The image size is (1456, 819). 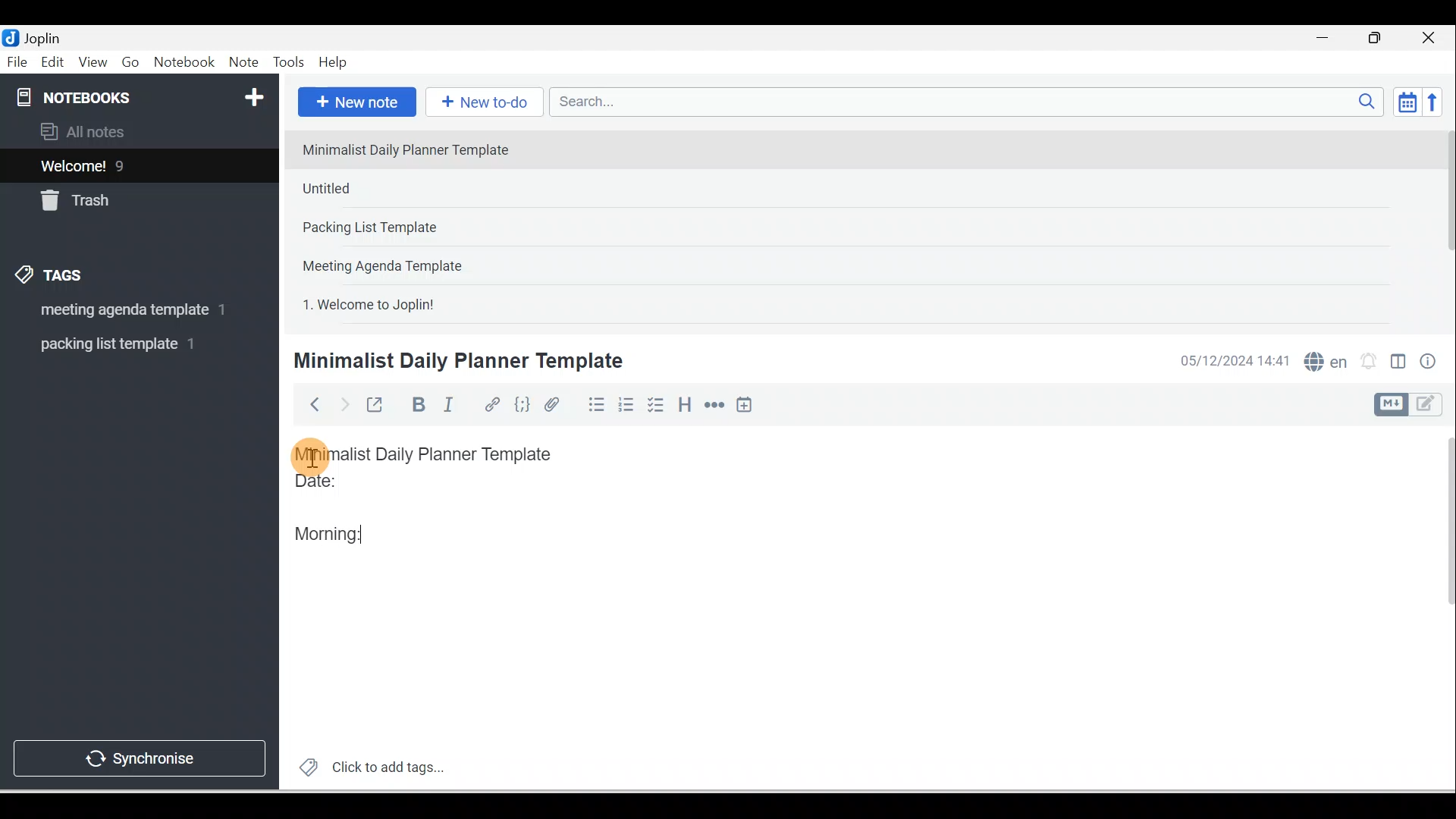 I want to click on Scroll bar, so click(x=1444, y=224).